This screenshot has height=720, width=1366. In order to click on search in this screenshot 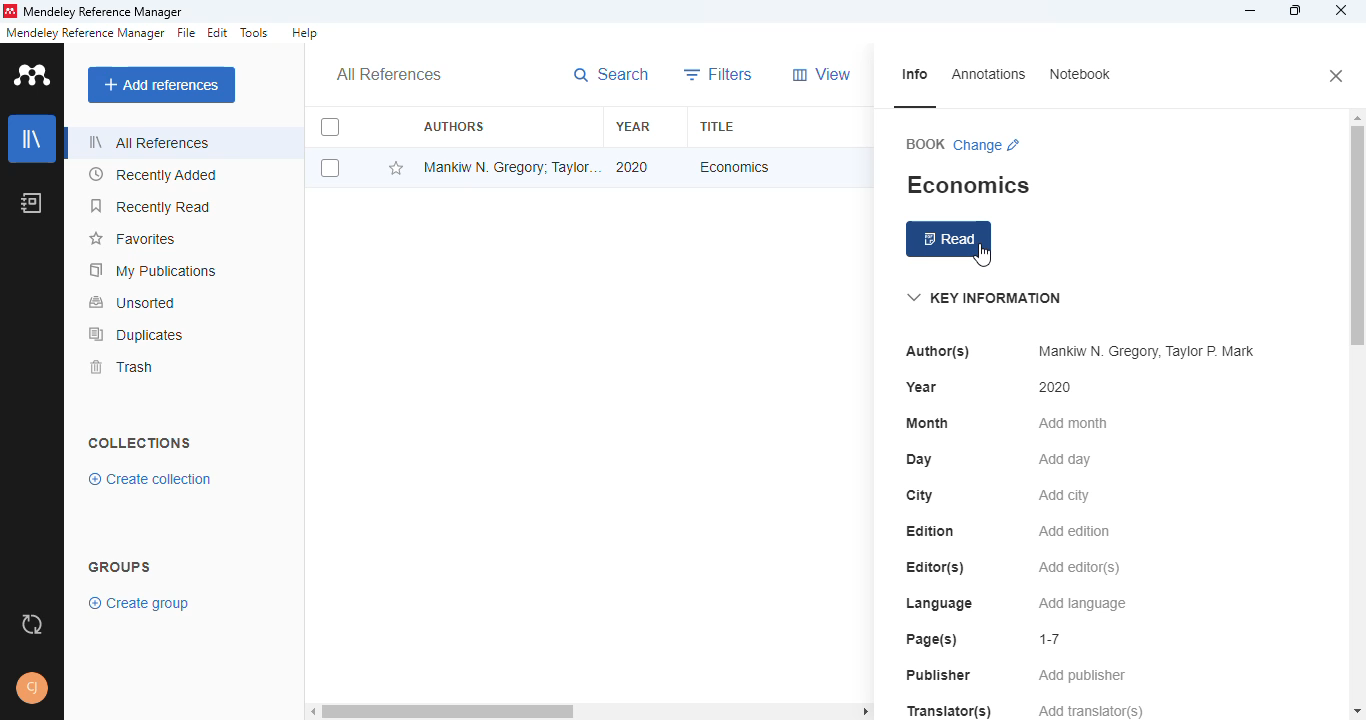, I will do `click(611, 74)`.